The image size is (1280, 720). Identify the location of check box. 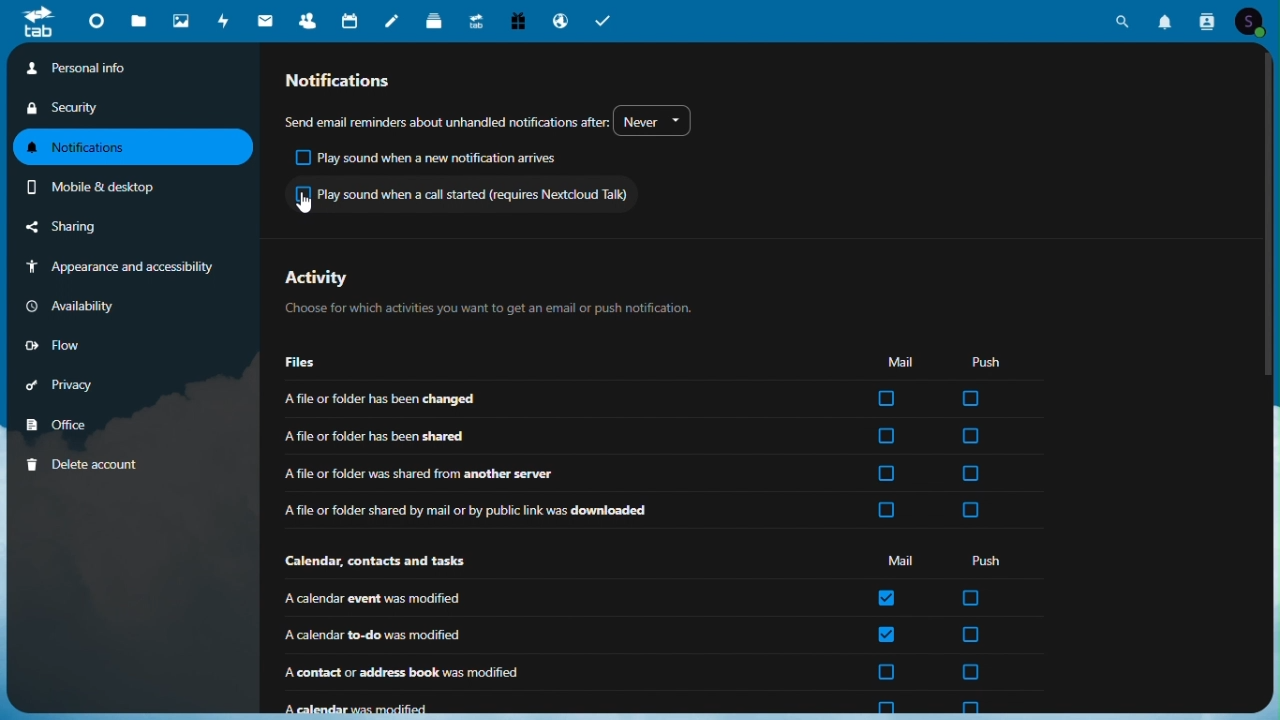
(969, 399).